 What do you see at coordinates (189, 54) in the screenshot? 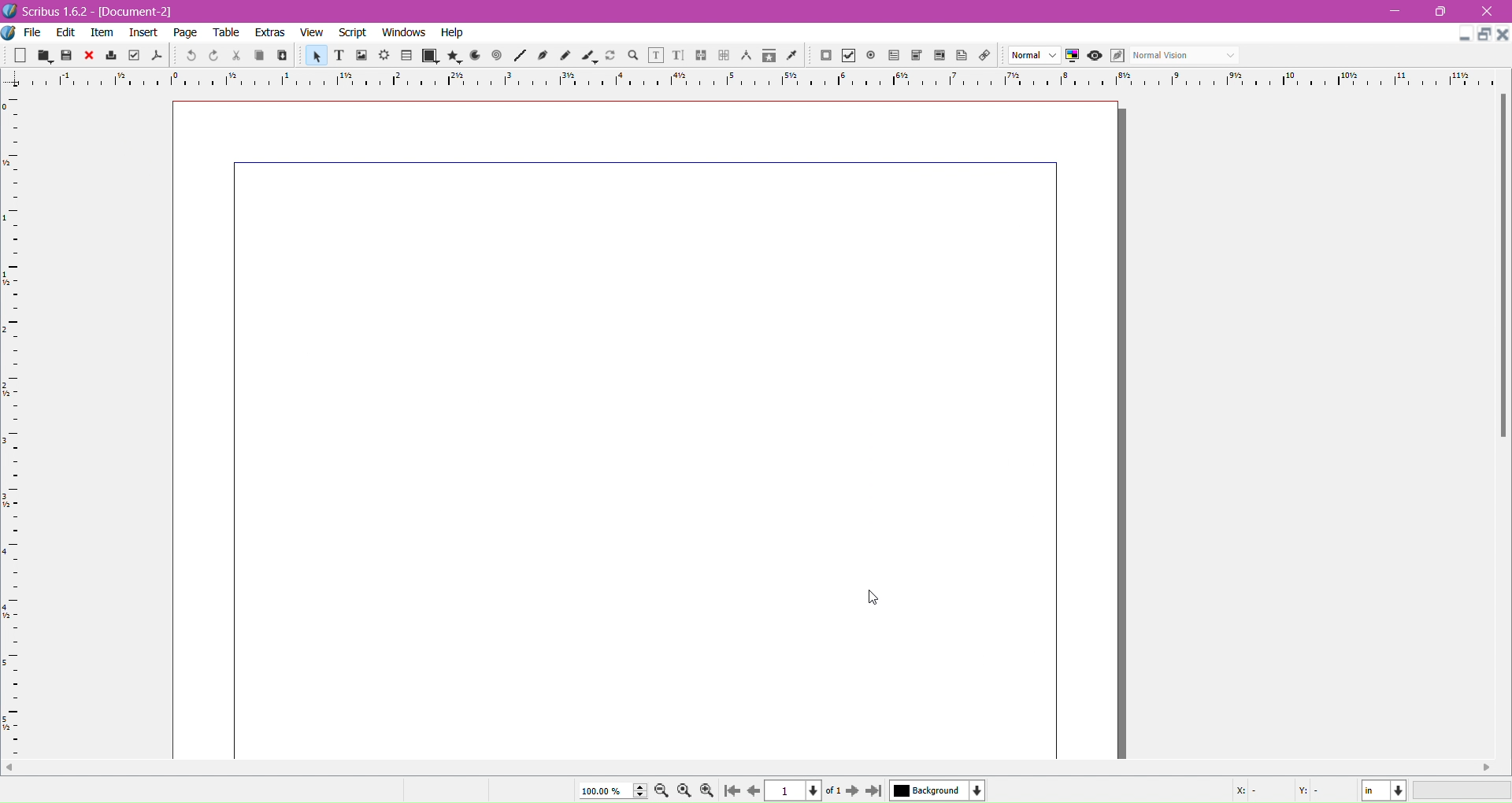
I see `icon` at bounding box center [189, 54].